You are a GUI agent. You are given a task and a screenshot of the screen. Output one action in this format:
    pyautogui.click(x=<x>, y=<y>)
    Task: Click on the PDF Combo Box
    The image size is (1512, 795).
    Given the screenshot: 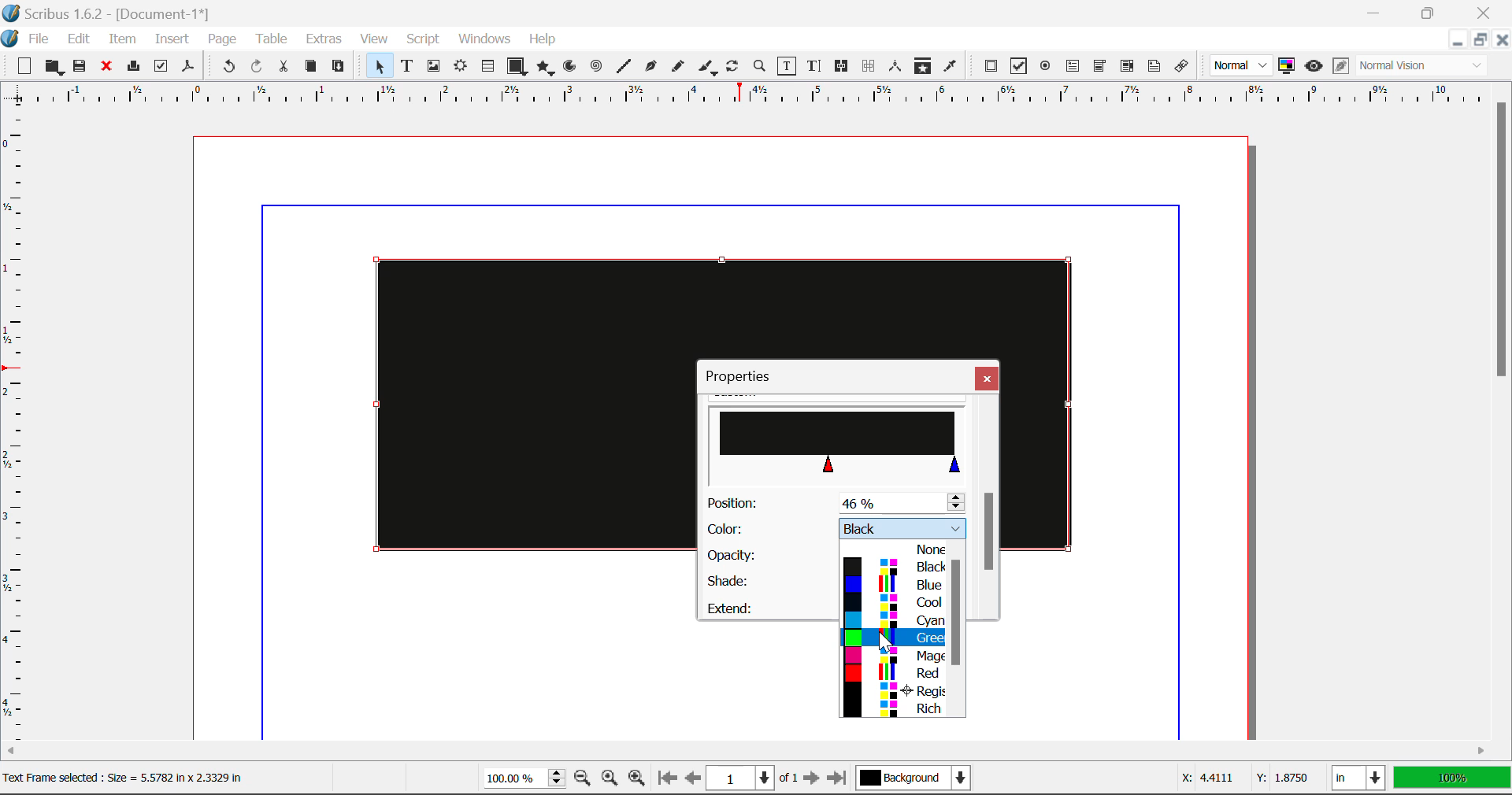 What is the action you would take?
    pyautogui.click(x=1099, y=68)
    